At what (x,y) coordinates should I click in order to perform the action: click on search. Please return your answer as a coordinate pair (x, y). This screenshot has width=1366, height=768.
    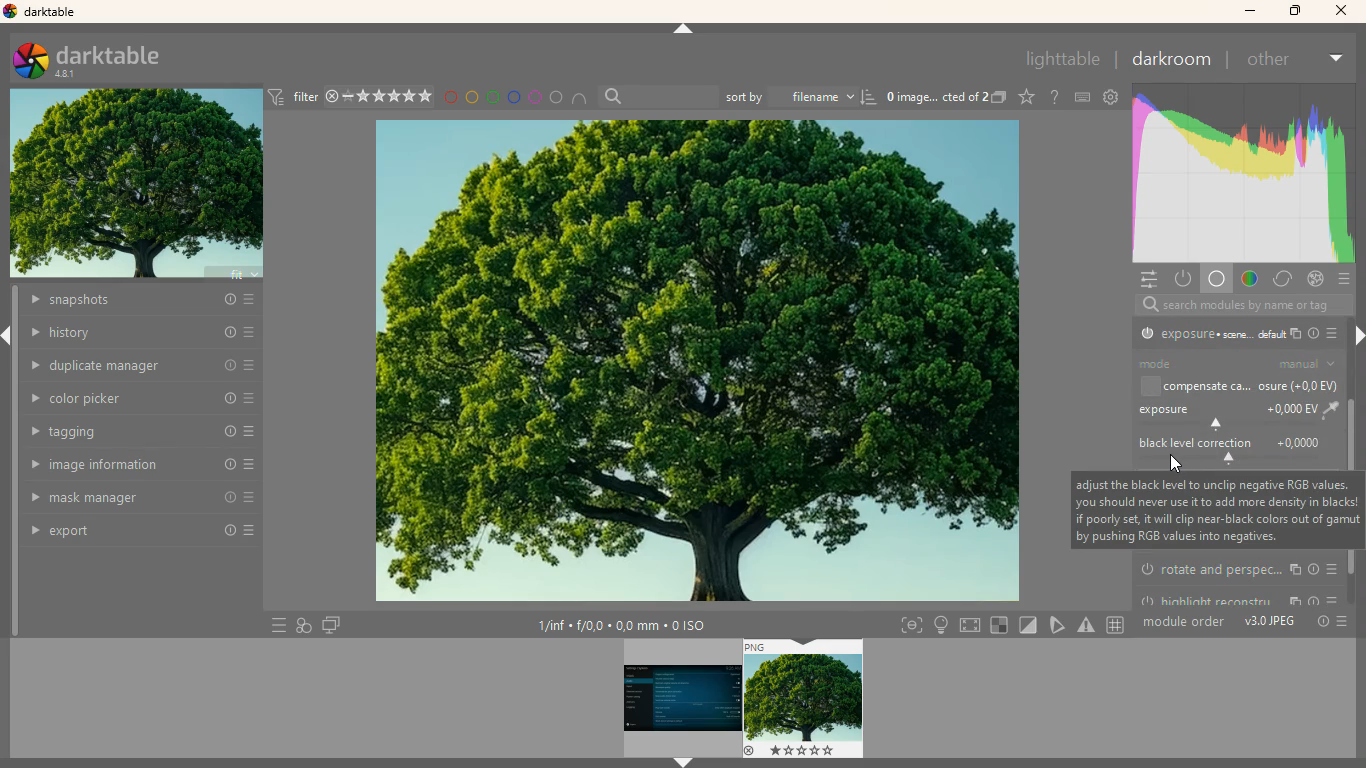
    Looking at the image, I should click on (658, 94).